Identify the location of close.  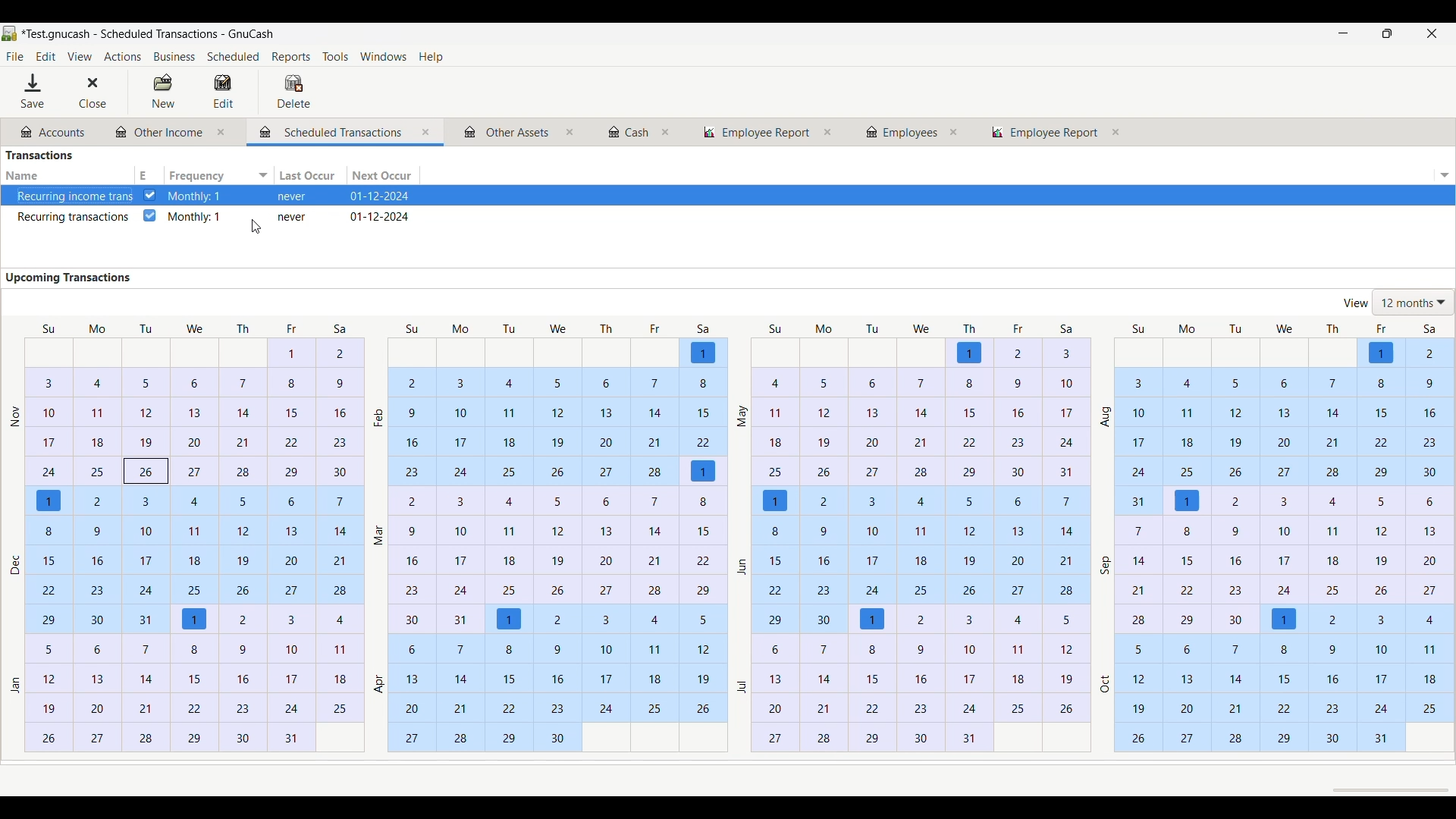
(830, 132).